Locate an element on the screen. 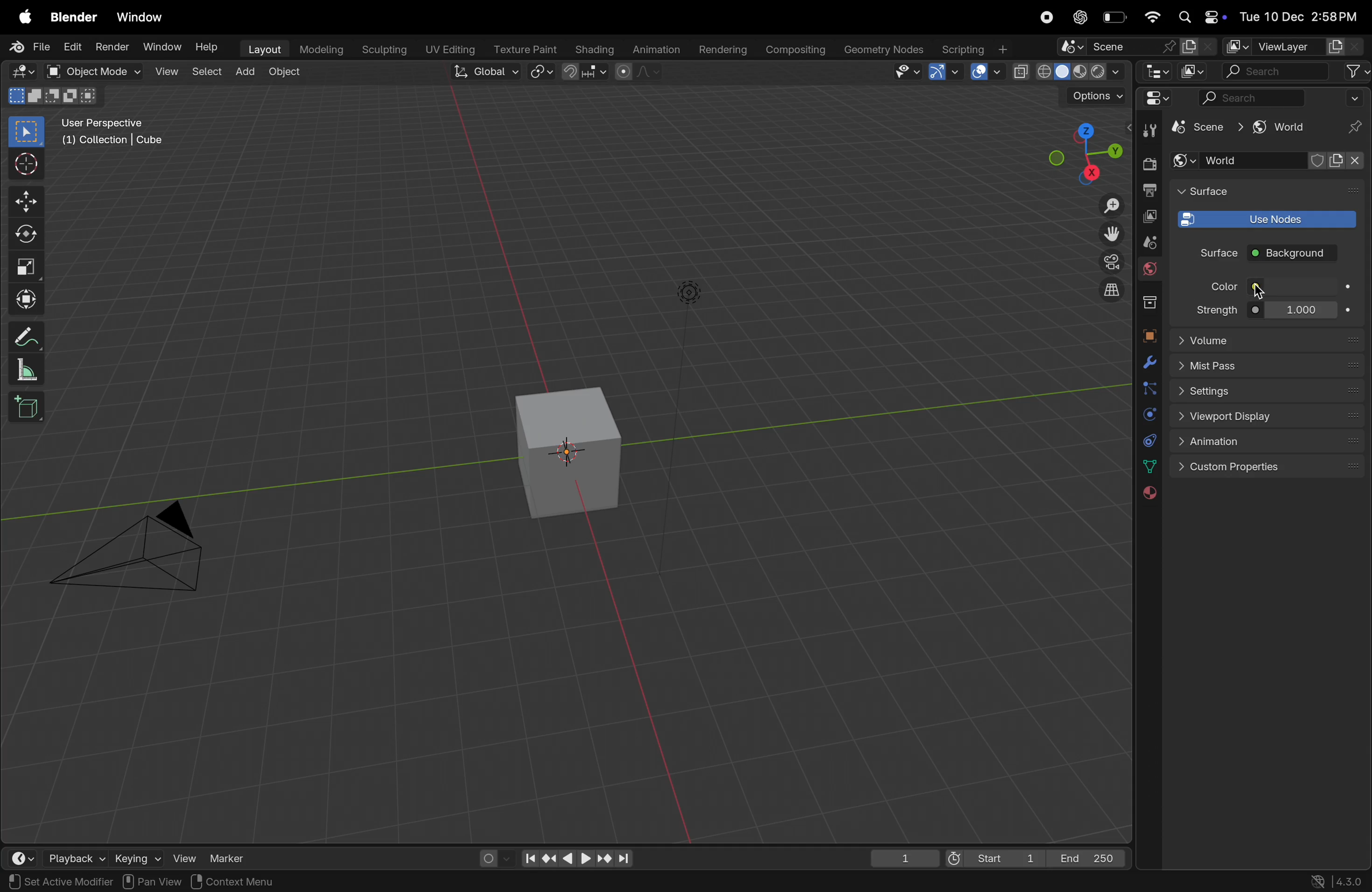 This screenshot has height=892, width=1372. view is located at coordinates (18, 855).